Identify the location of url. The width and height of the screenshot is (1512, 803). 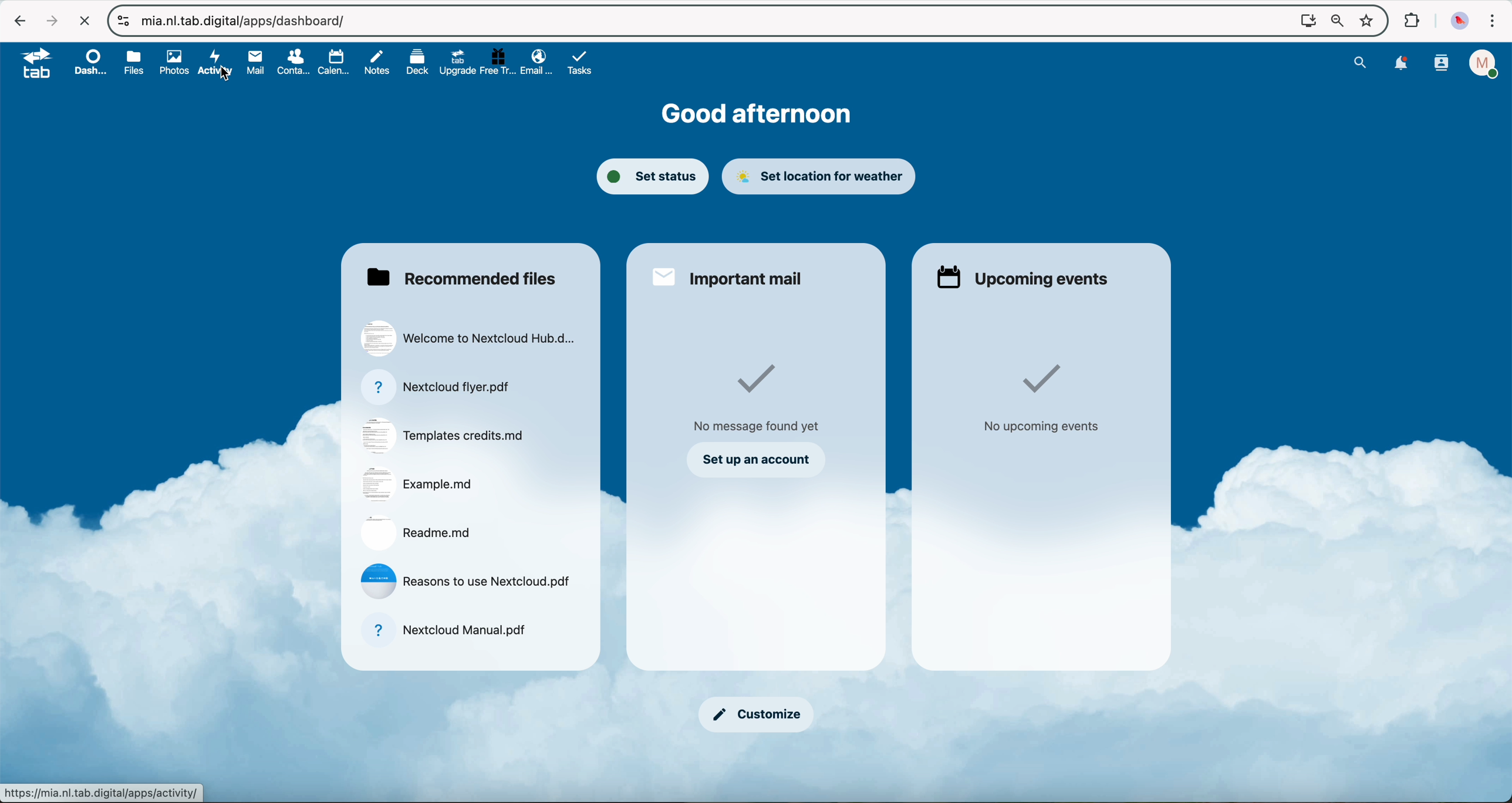
(102, 792).